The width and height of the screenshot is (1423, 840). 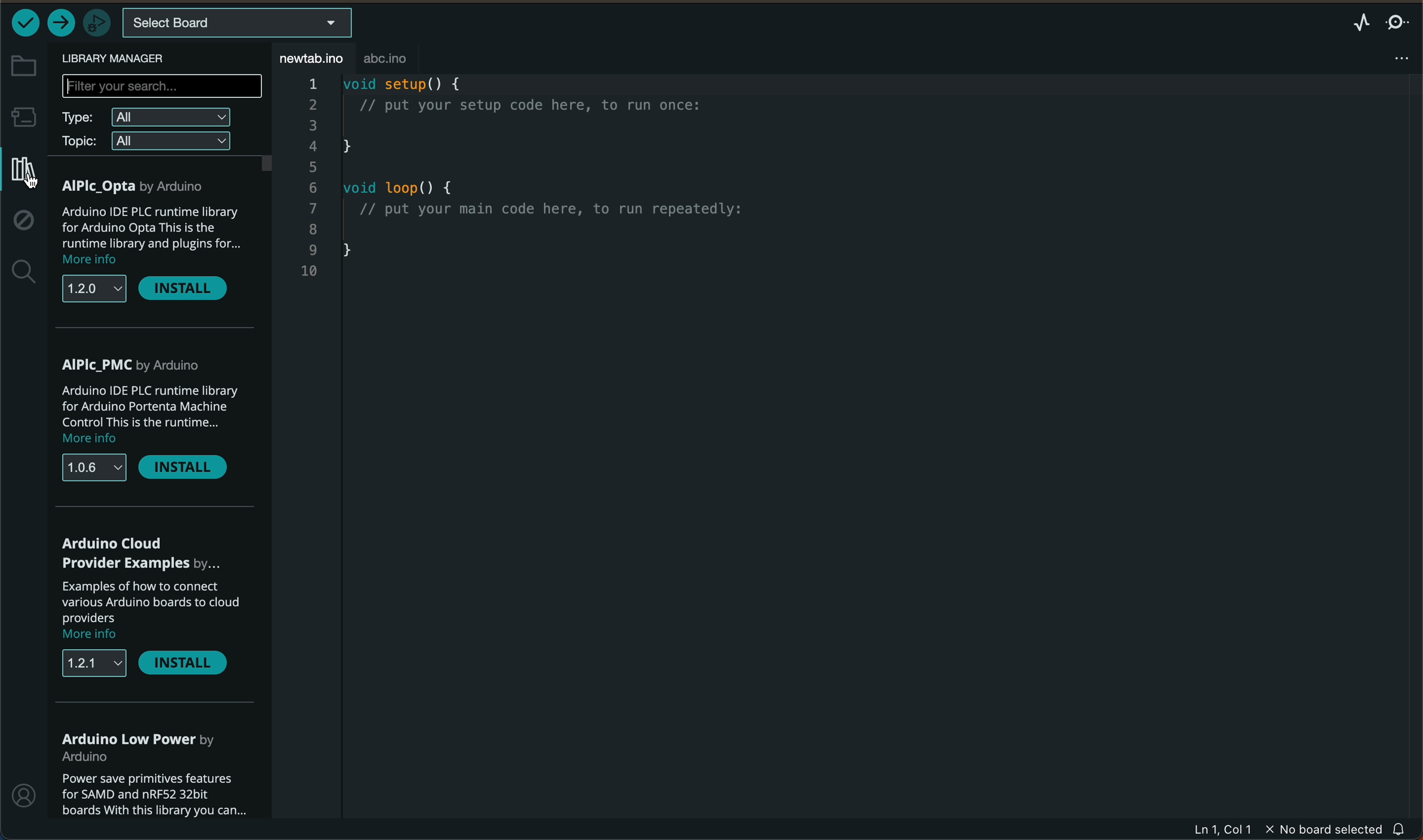 I want to click on install, so click(x=194, y=468).